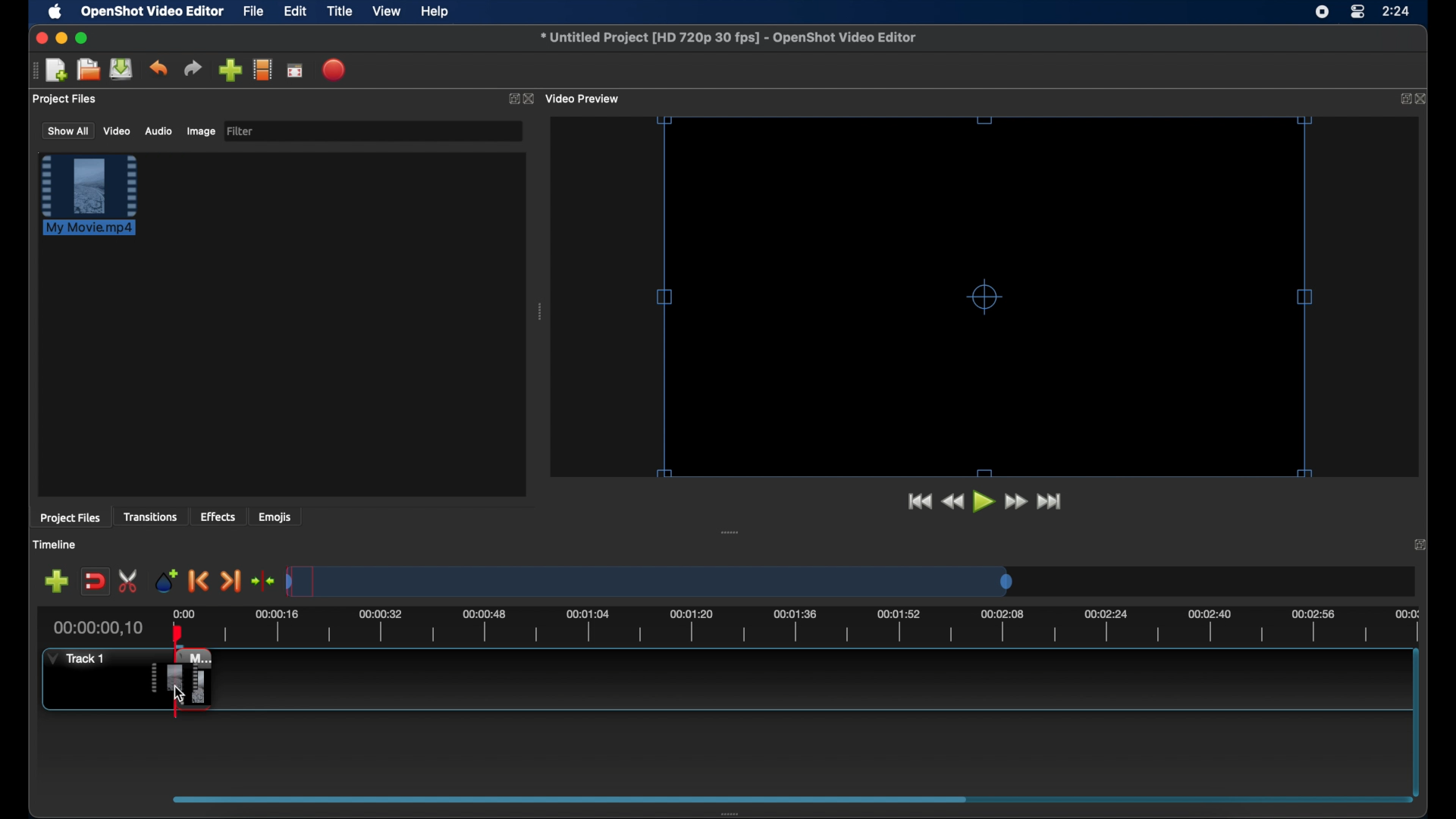  I want to click on resize handles, so click(984, 297).